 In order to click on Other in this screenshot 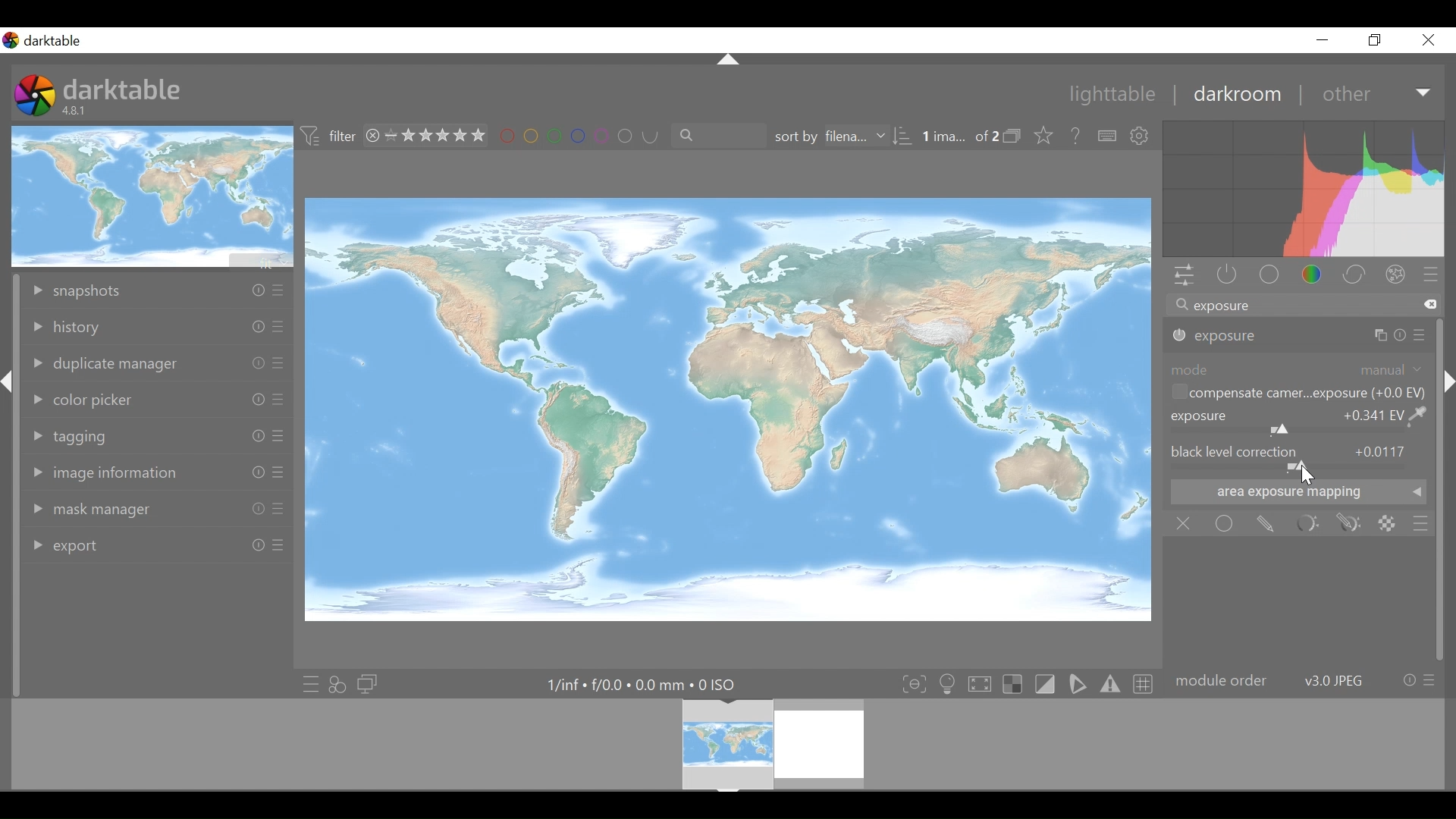, I will do `click(1376, 92)`.